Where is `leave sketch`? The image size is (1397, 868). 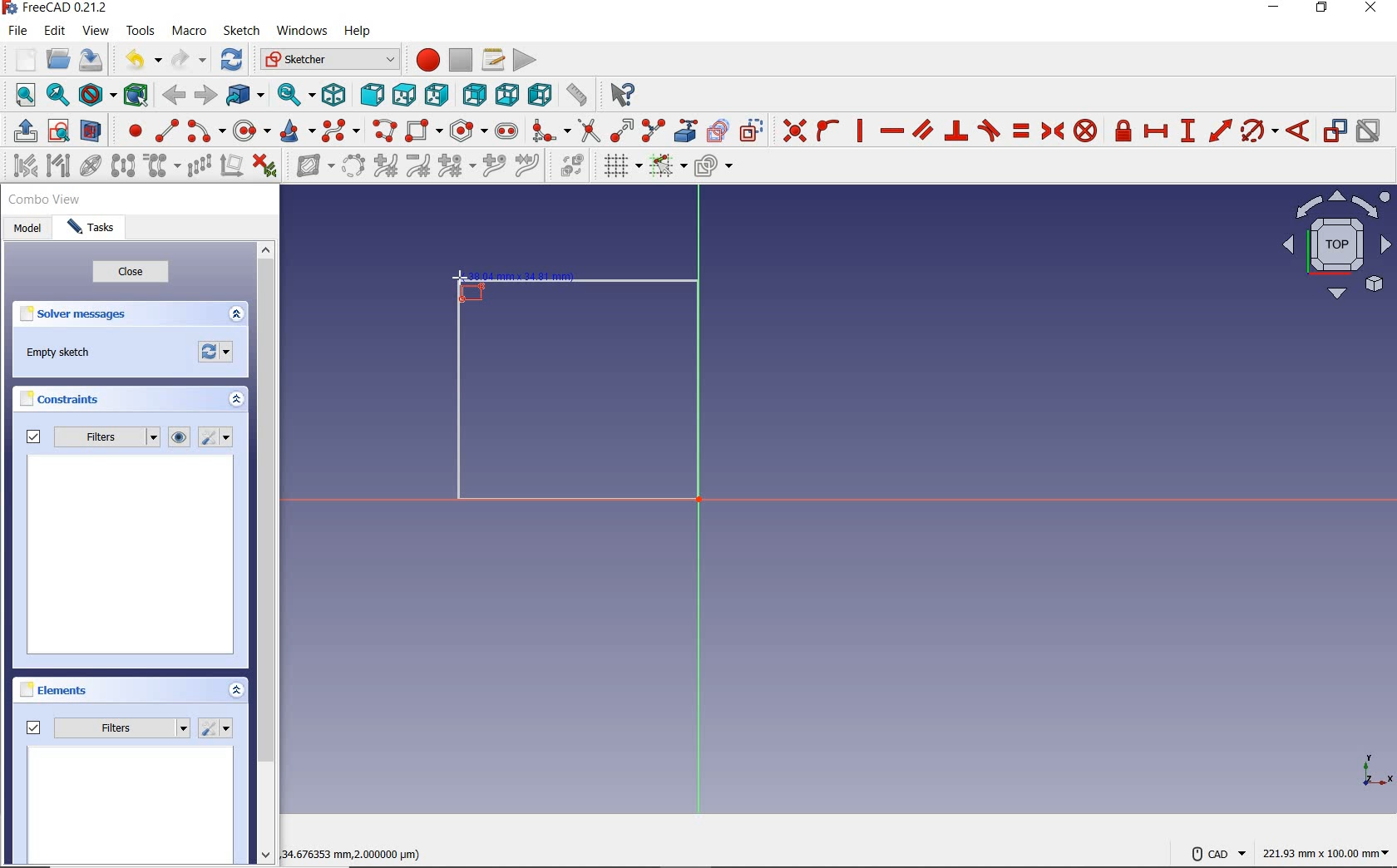
leave sketch is located at coordinates (21, 131).